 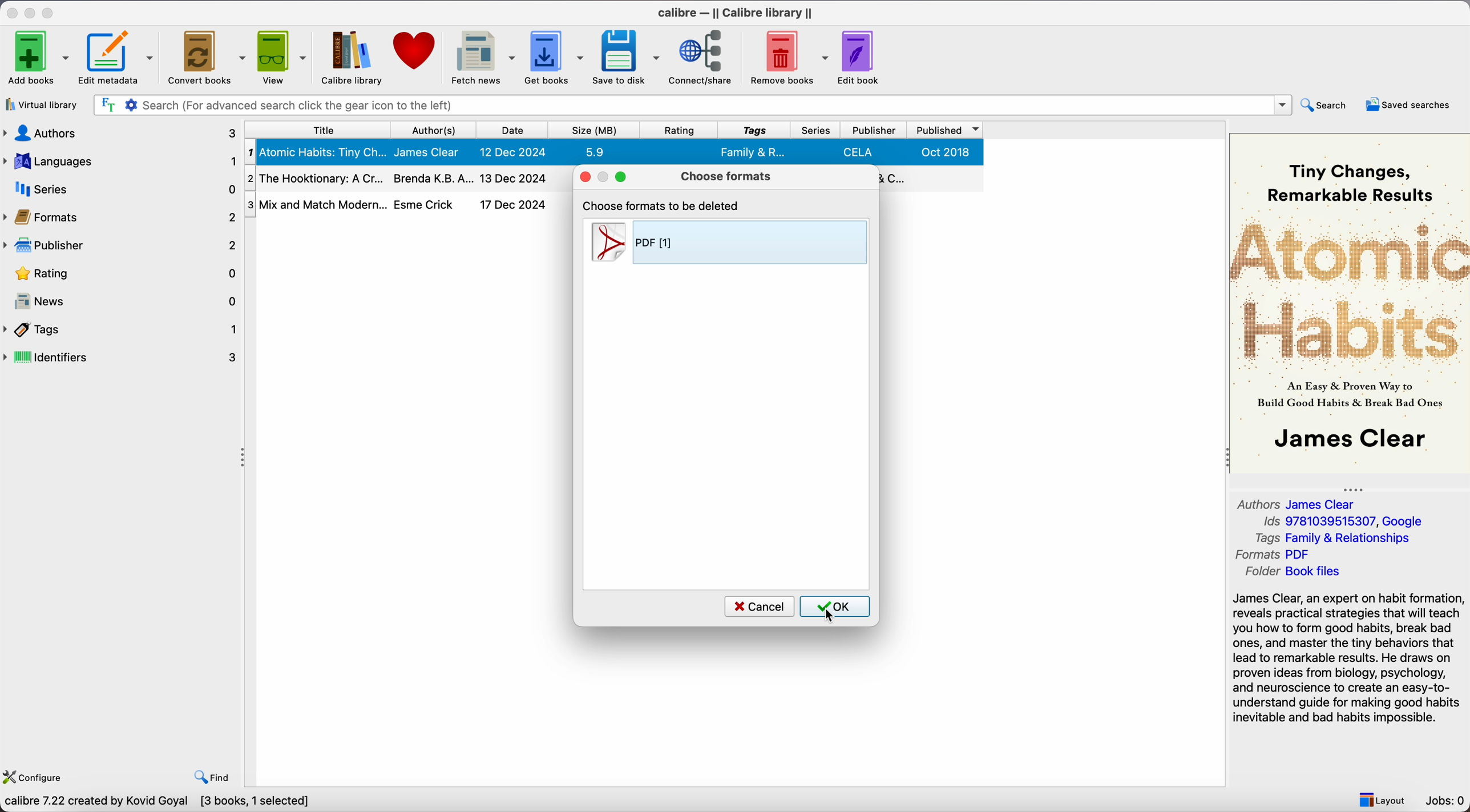 What do you see at coordinates (122, 357) in the screenshot?
I see `identifiers` at bounding box center [122, 357].